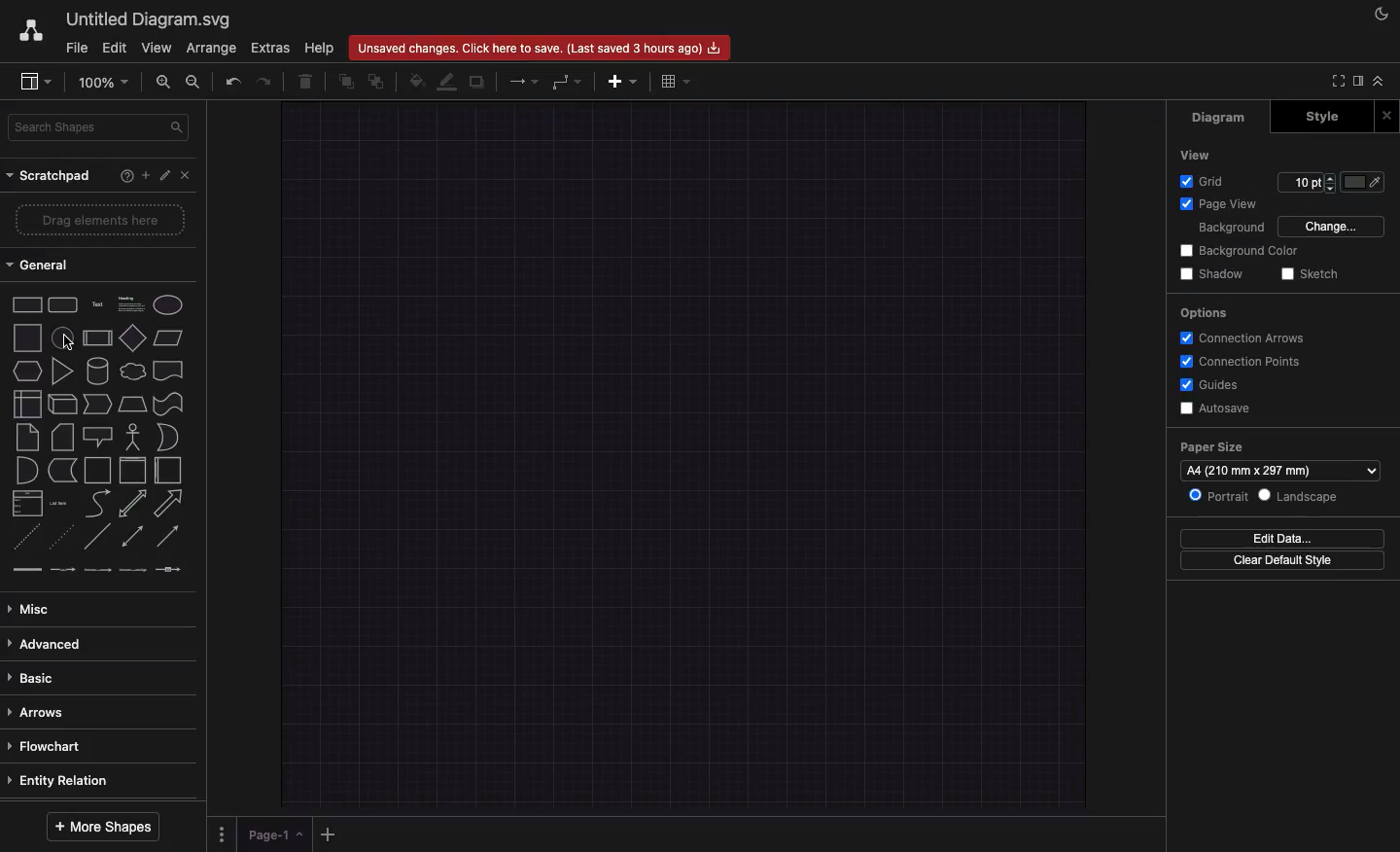  What do you see at coordinates (309, 81) in the screenshot?
I see `Delete` at bounding box center [309, 81].